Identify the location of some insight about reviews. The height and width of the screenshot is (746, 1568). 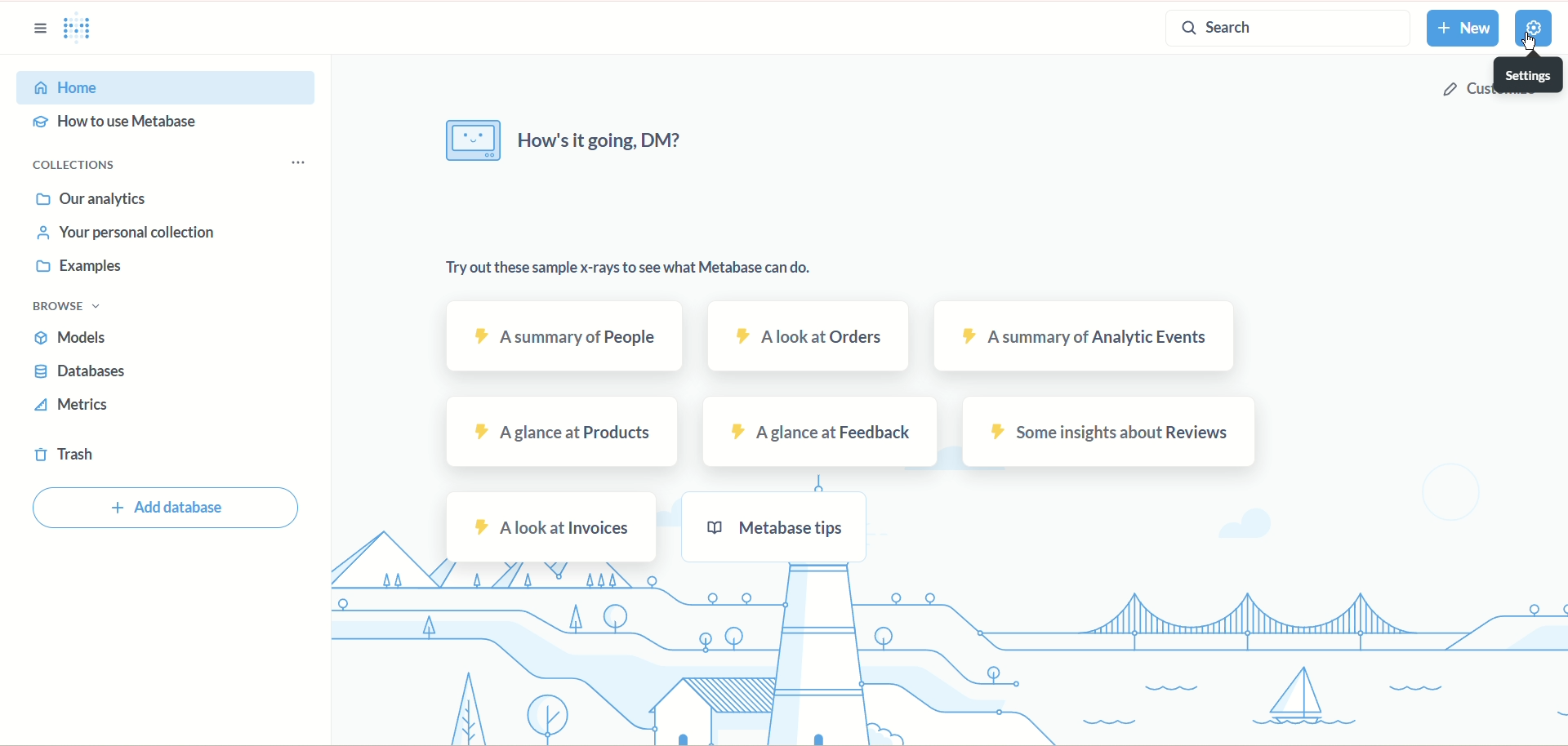
(1108, 432).